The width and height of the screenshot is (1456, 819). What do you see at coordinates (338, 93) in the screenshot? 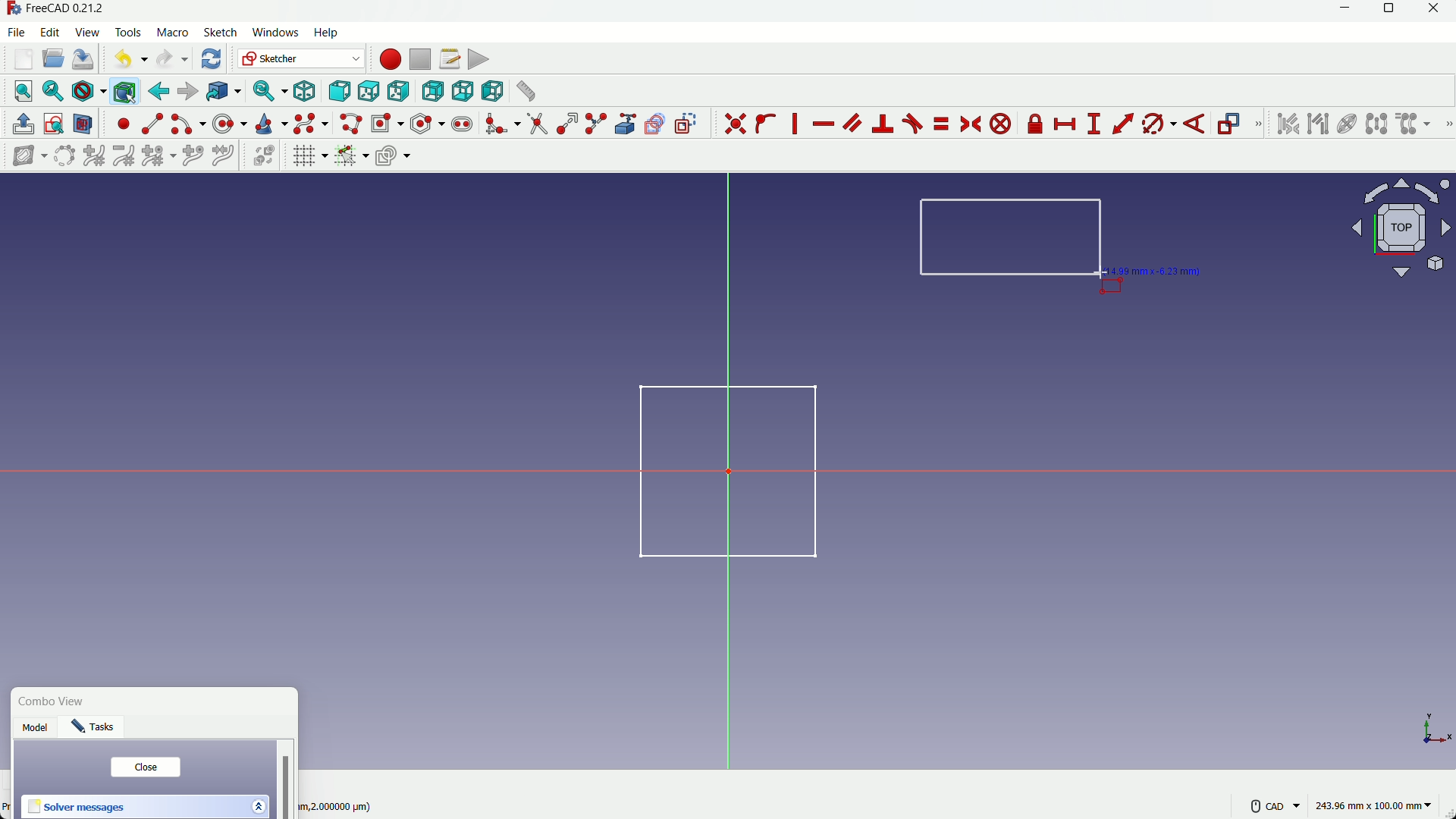
I see `front view` at bounding box center [338, 93].